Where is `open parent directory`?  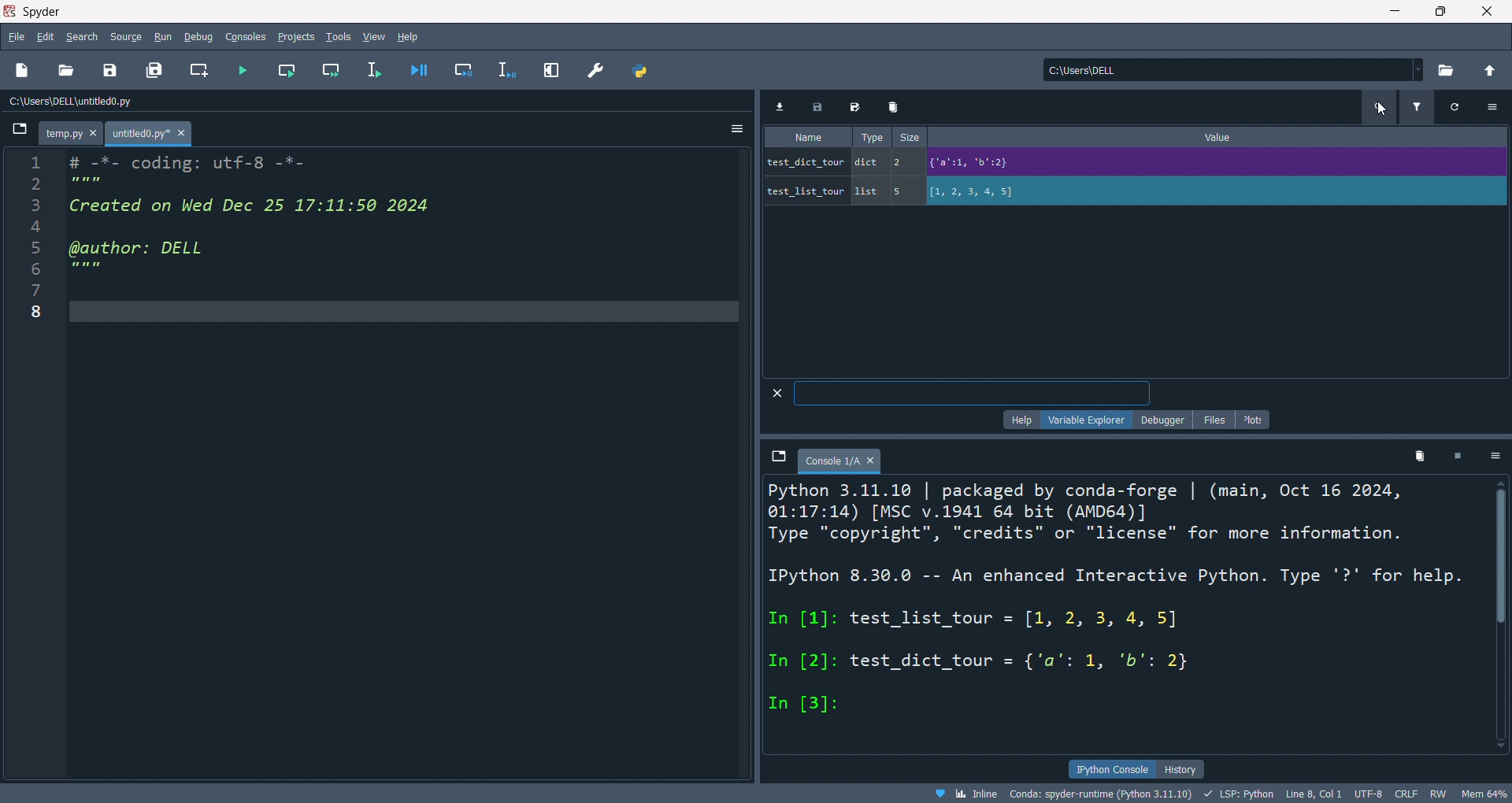 open parent directory is located at coordinates (1488, 74).